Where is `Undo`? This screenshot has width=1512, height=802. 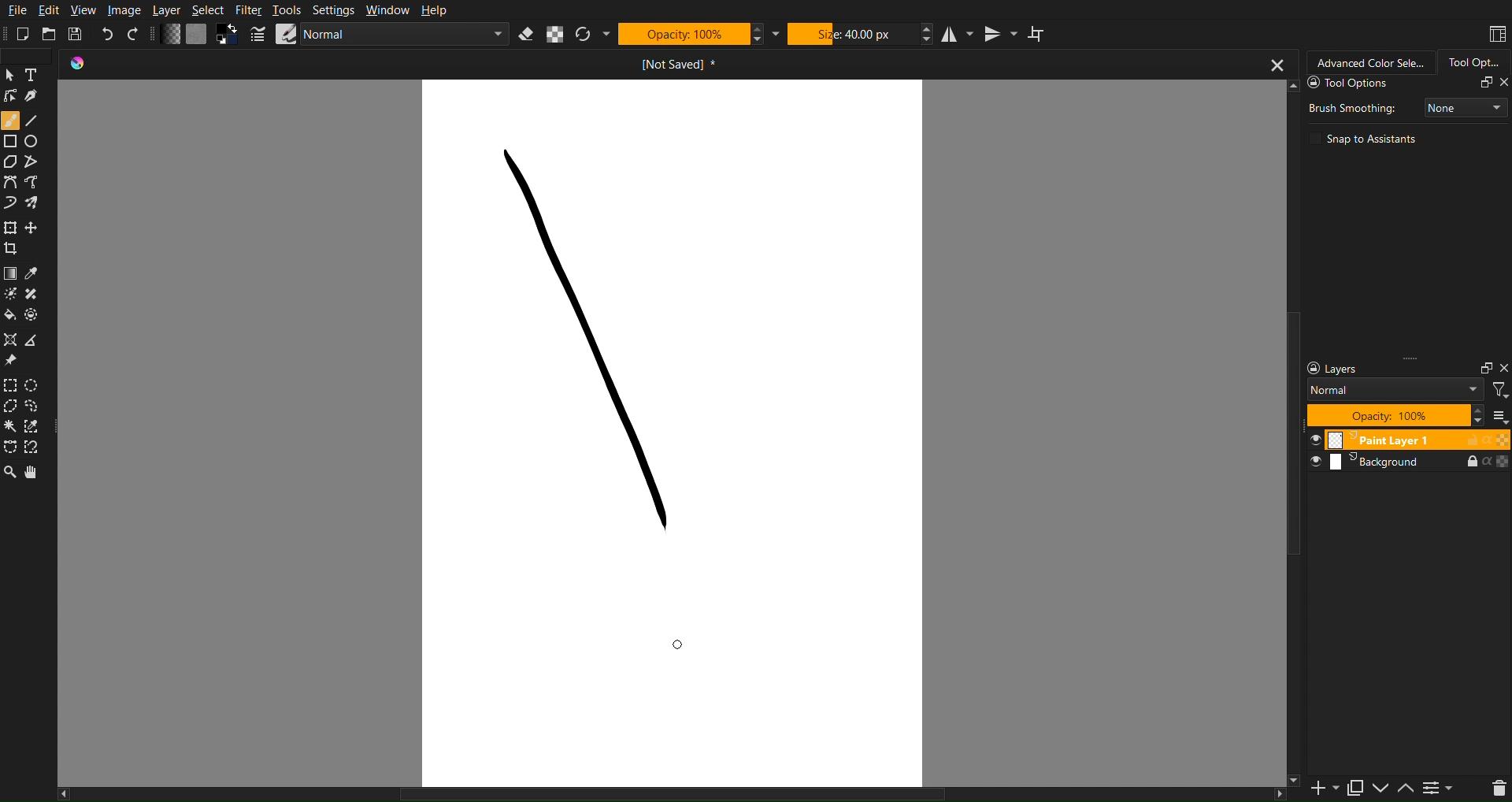 Undo is located at coordinates (108, 33).